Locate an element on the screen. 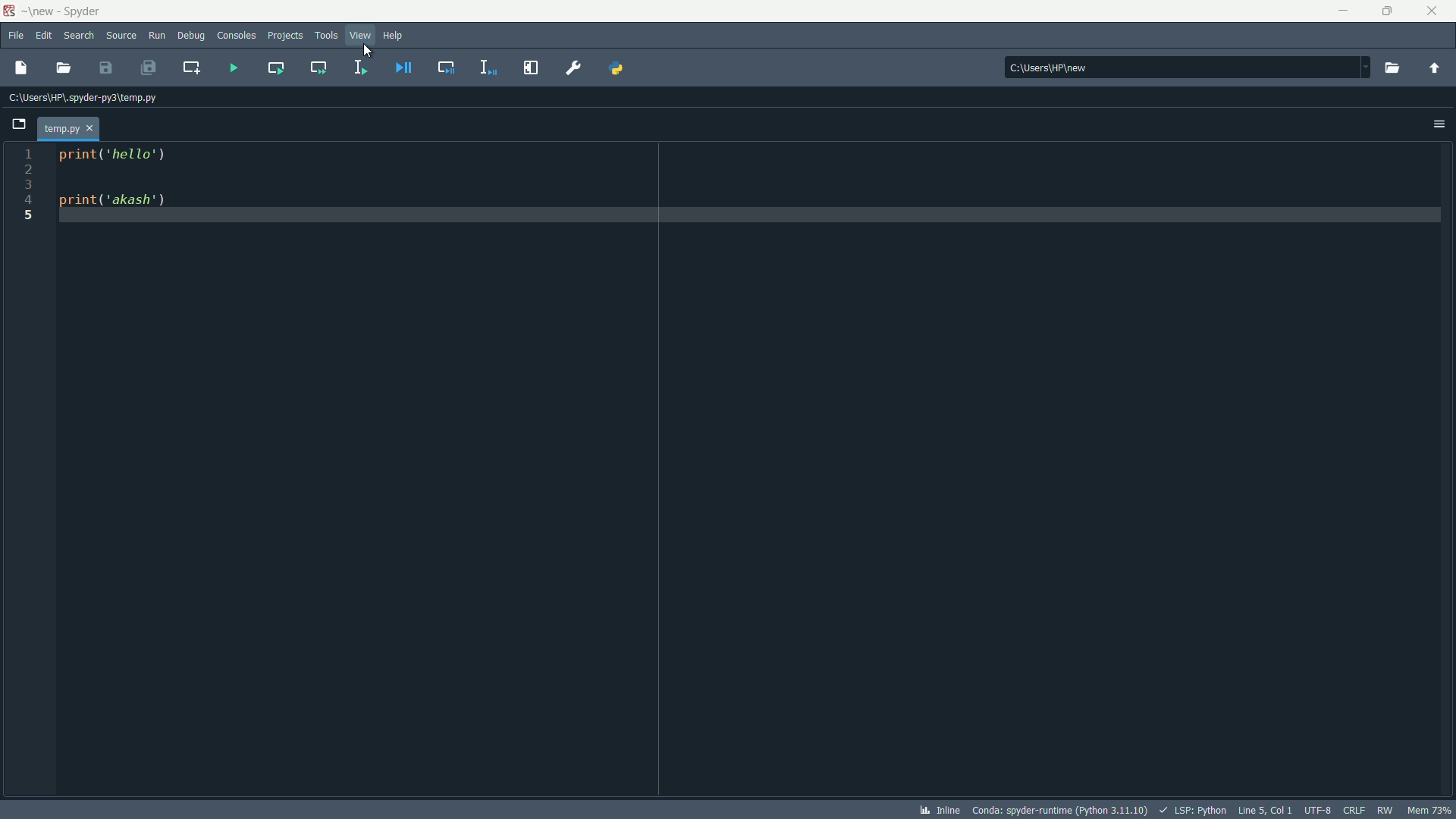 The image size is (1456, 819). browse tabs is located at coordinates (18, 124).